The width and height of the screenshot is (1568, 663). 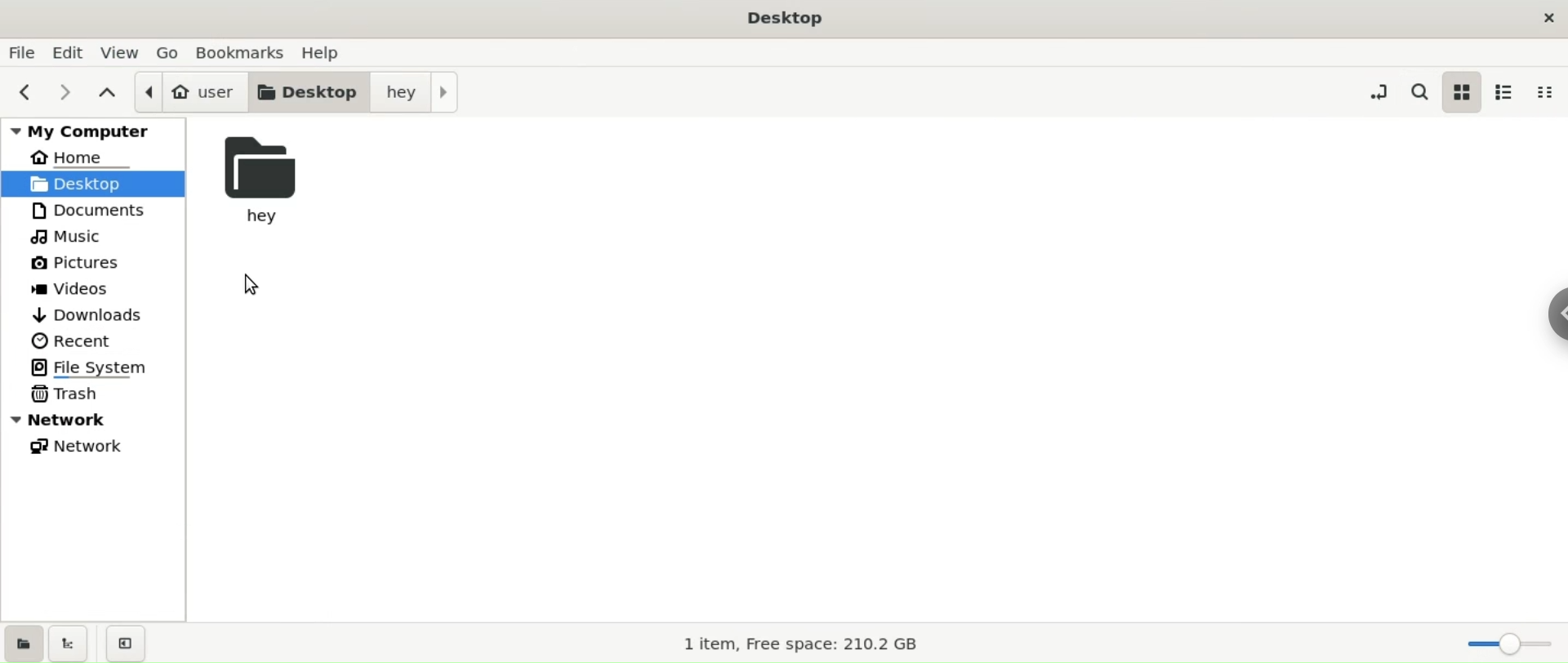 What do you see at coordinates (786, 19) in the screenshot?
I see `Desktop` at bounding box center [786, 19].